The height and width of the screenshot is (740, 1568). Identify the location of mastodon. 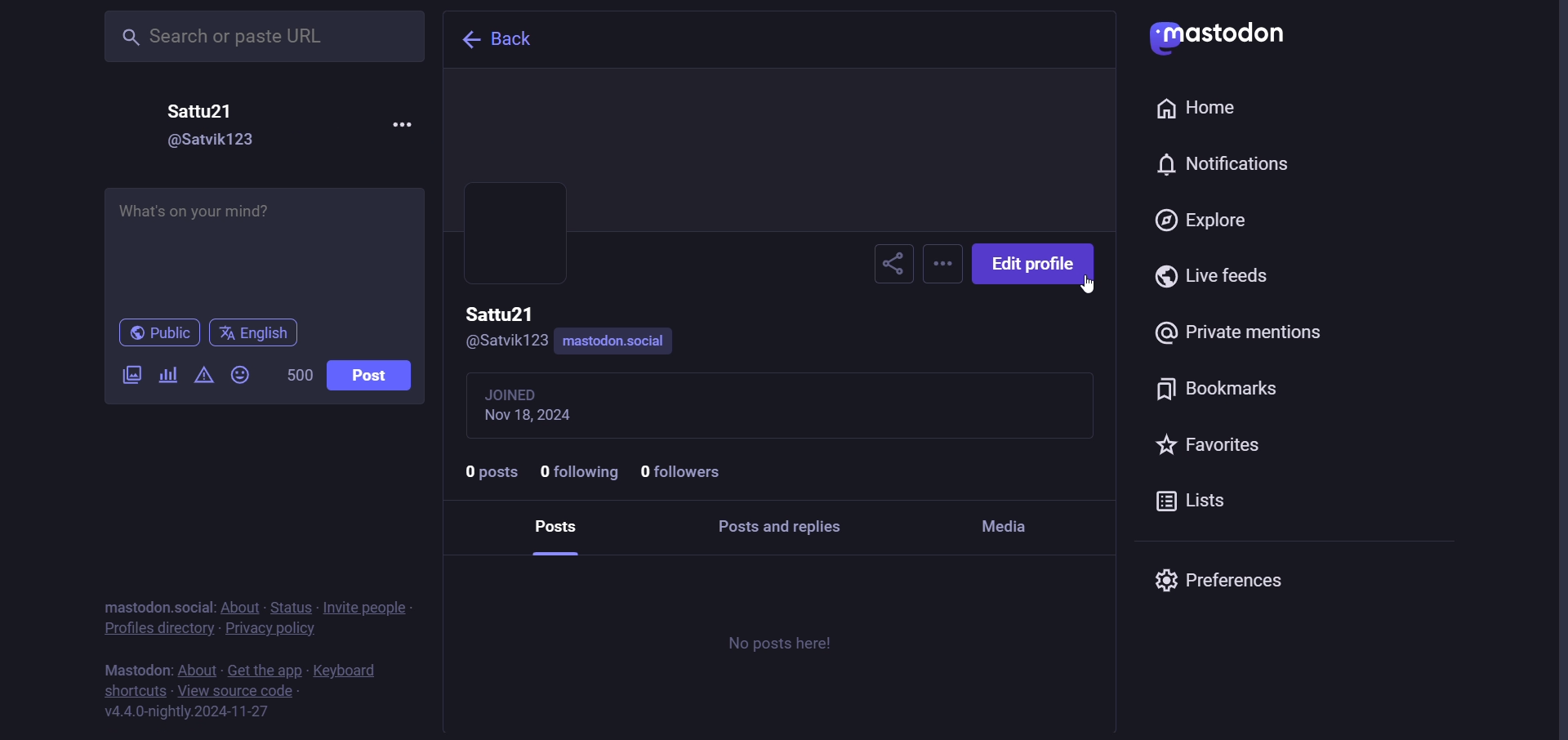
(131, 605).